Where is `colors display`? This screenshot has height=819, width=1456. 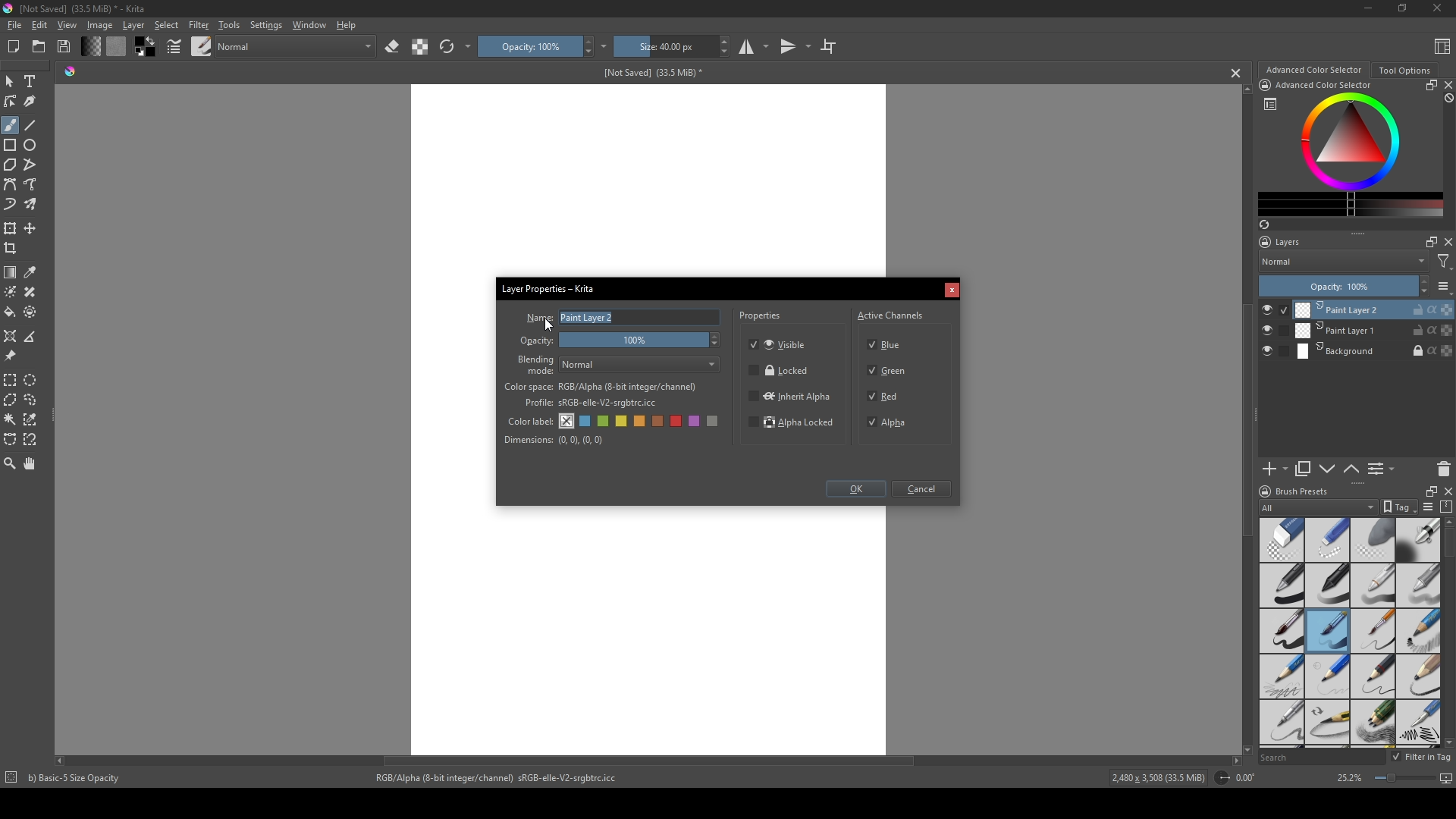 colors display is located at coordinates (1352, 142).